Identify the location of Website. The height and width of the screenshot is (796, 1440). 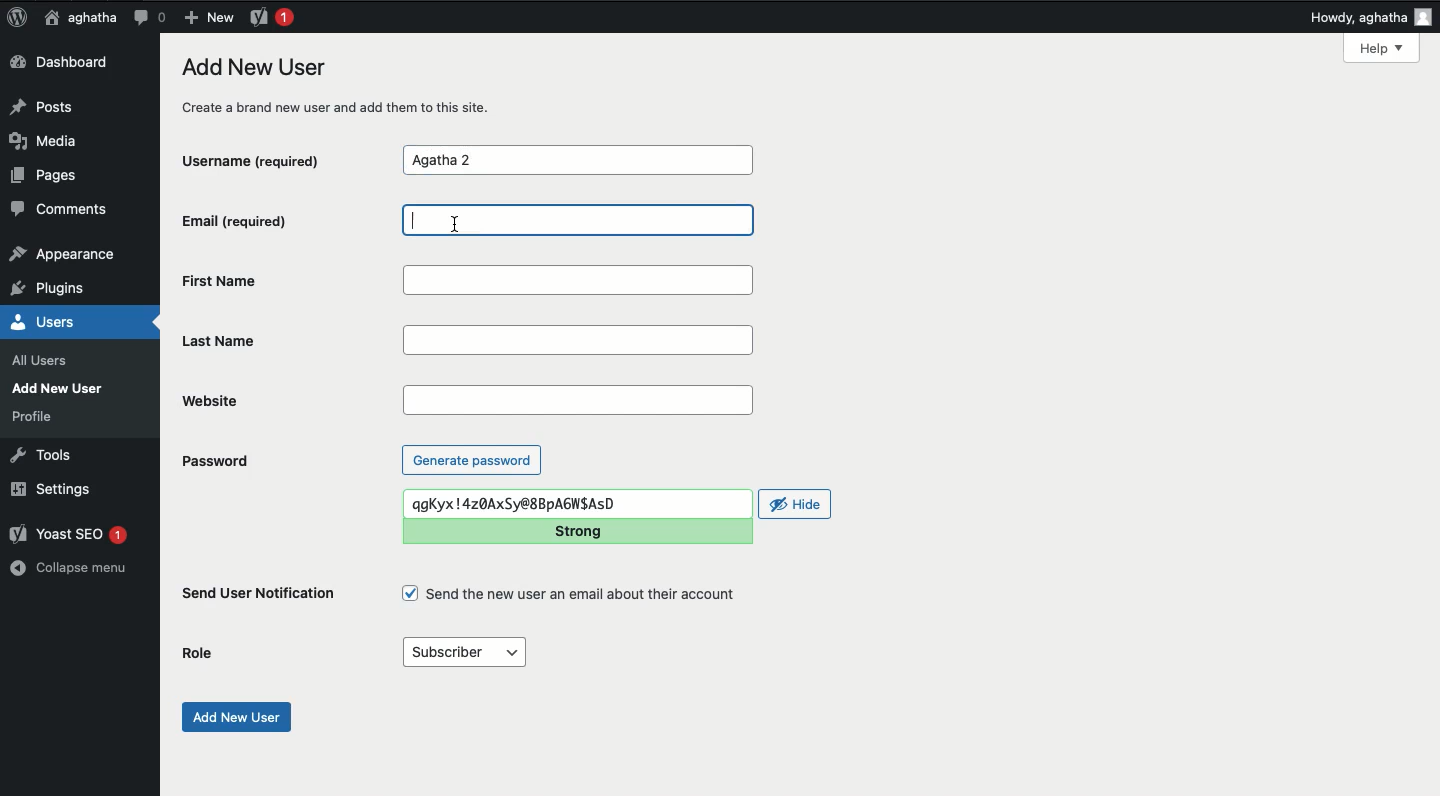
(581, 400).